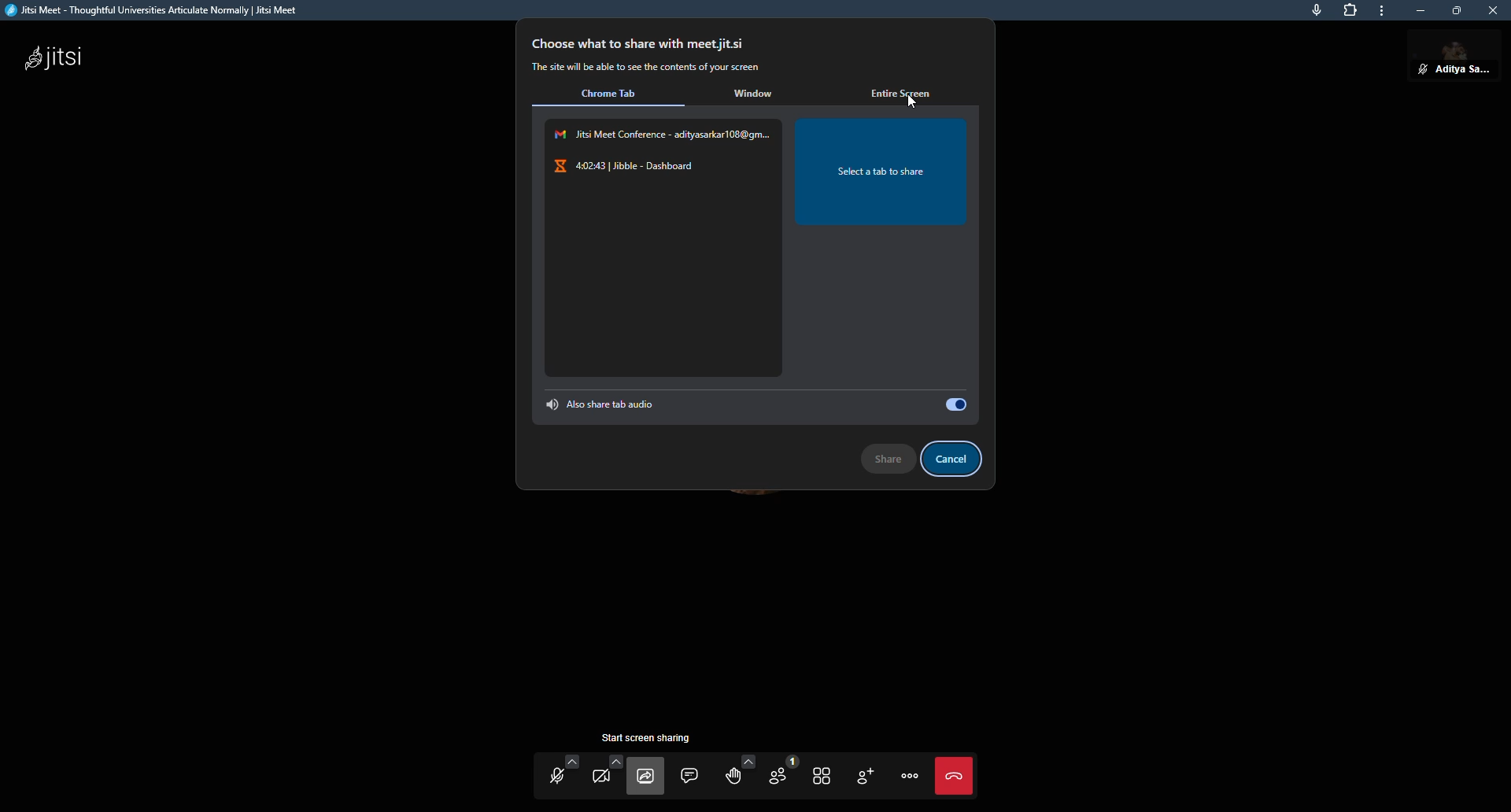  What do you see at coordinates (615, 94) in the screenshot?
I see `chrome tab` at bounding box center [615, 94].